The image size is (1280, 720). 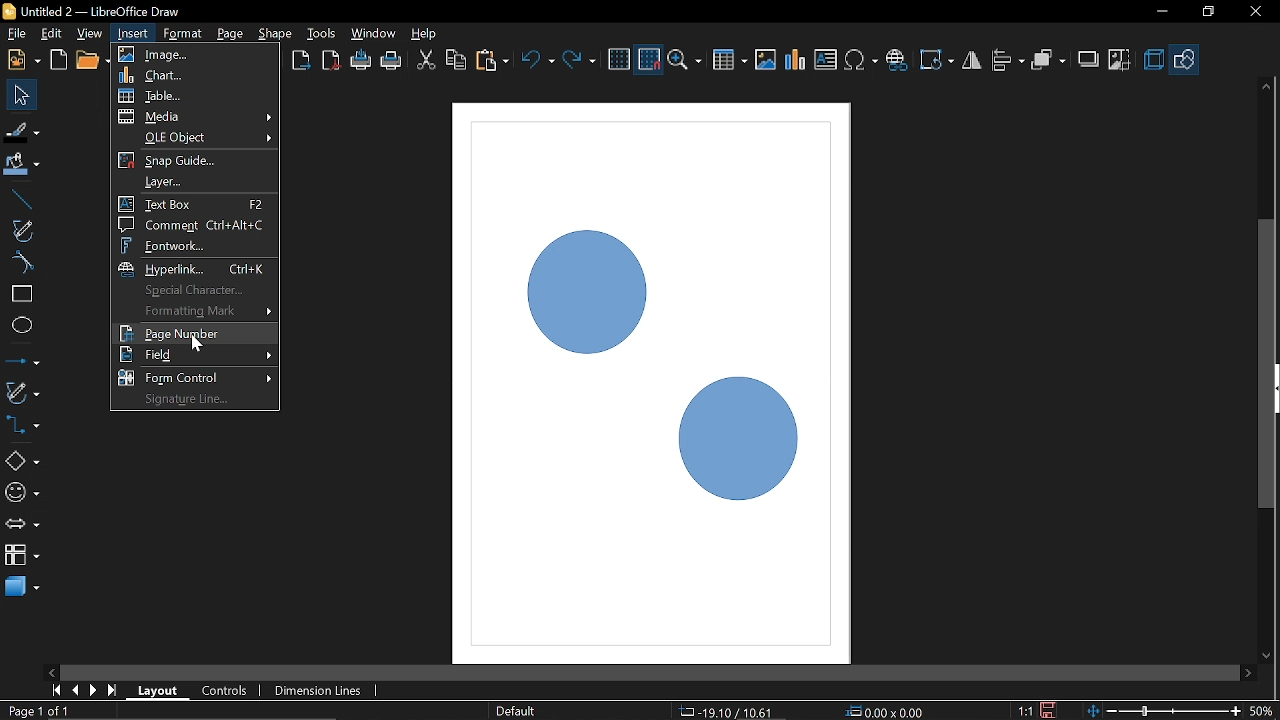 What do you see at coordinates (888, 711) in the screenshot?
I see `co-ordinate` at bounding box center [888, 711].